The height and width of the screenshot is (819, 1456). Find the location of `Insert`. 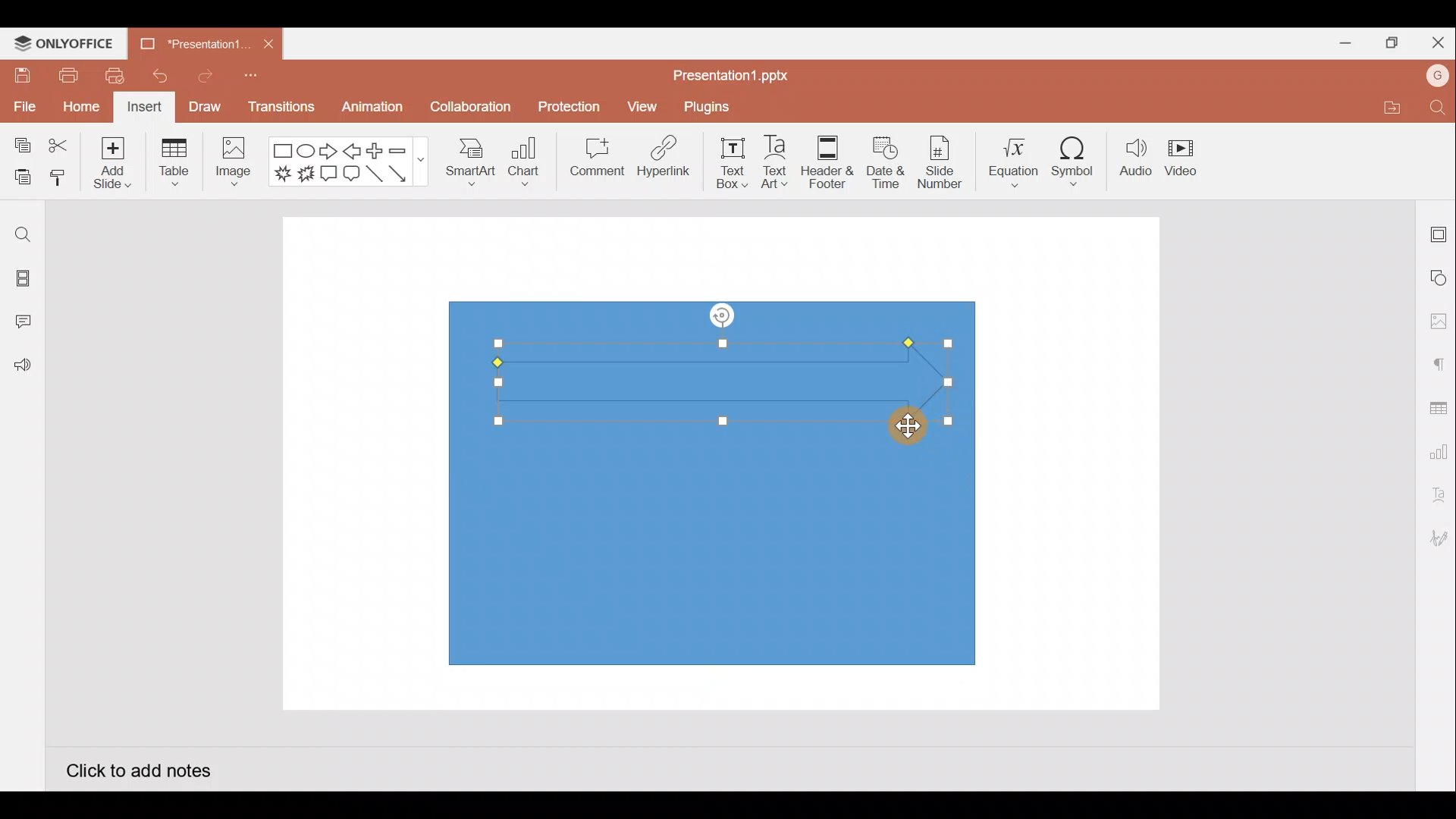

Insert is located at coordinates (145, 108).